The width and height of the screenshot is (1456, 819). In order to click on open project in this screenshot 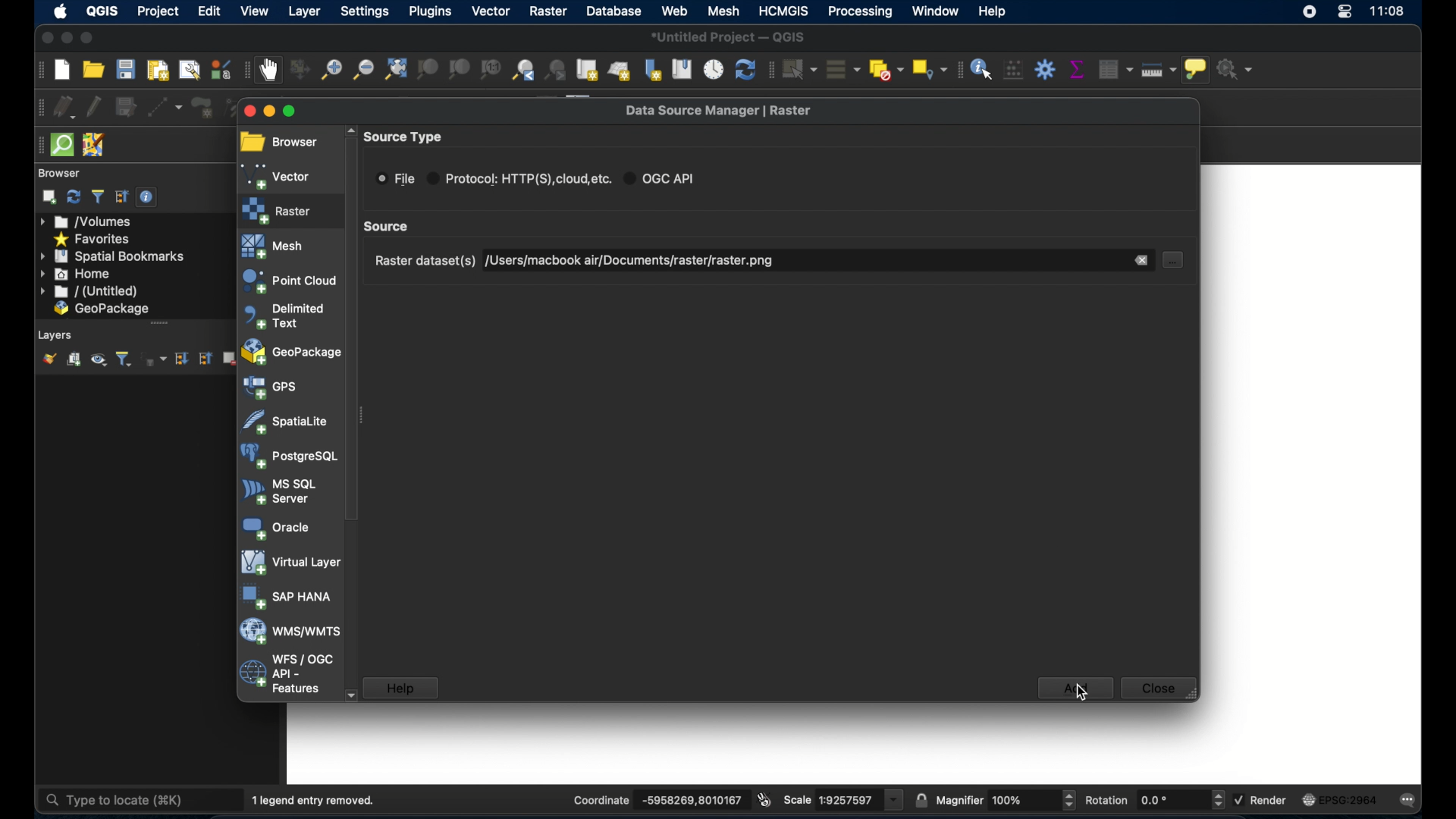, I will do `click(95, 69)`.